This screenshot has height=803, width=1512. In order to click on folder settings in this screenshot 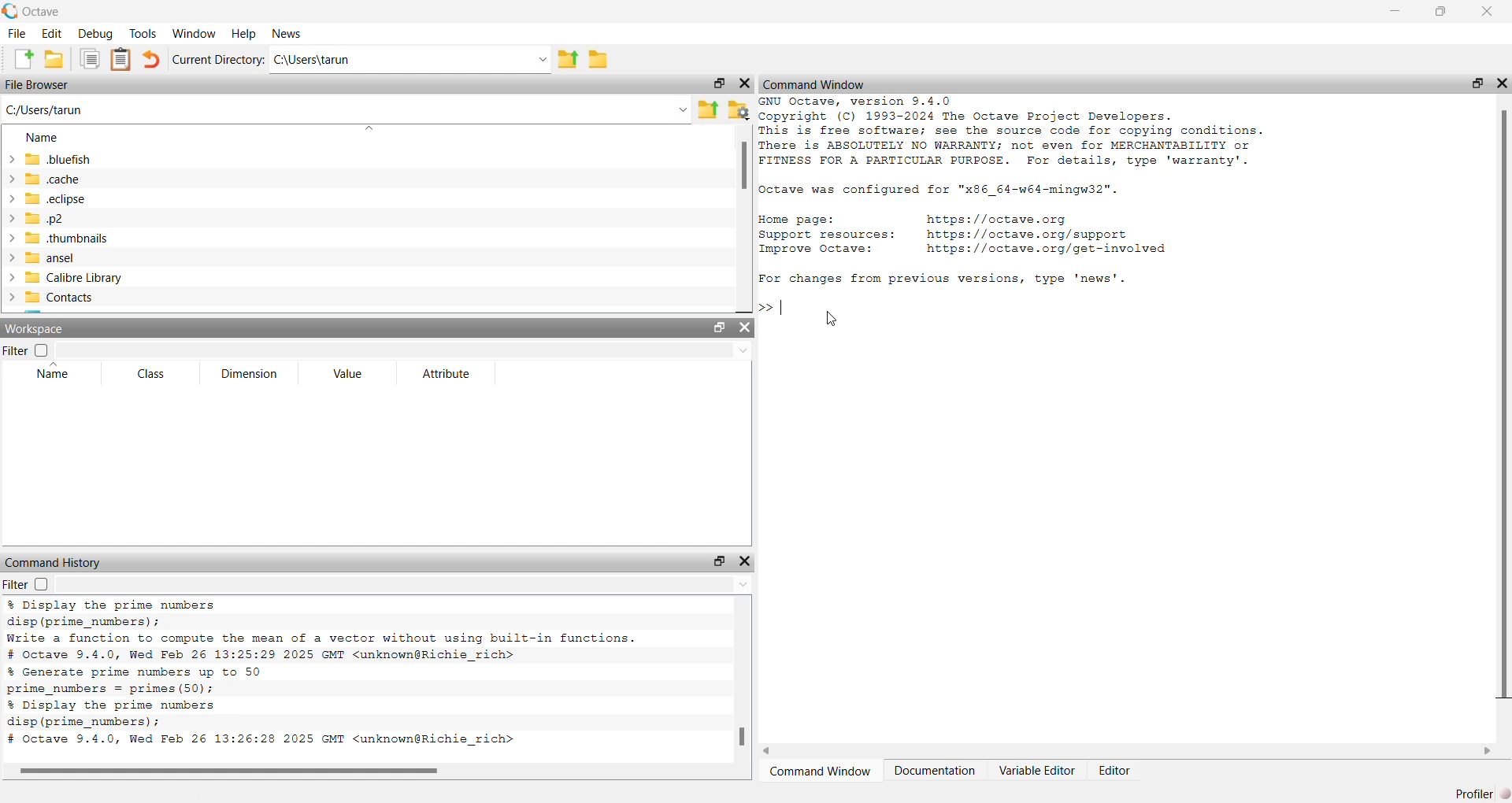, I will do `click(739, 111)`.